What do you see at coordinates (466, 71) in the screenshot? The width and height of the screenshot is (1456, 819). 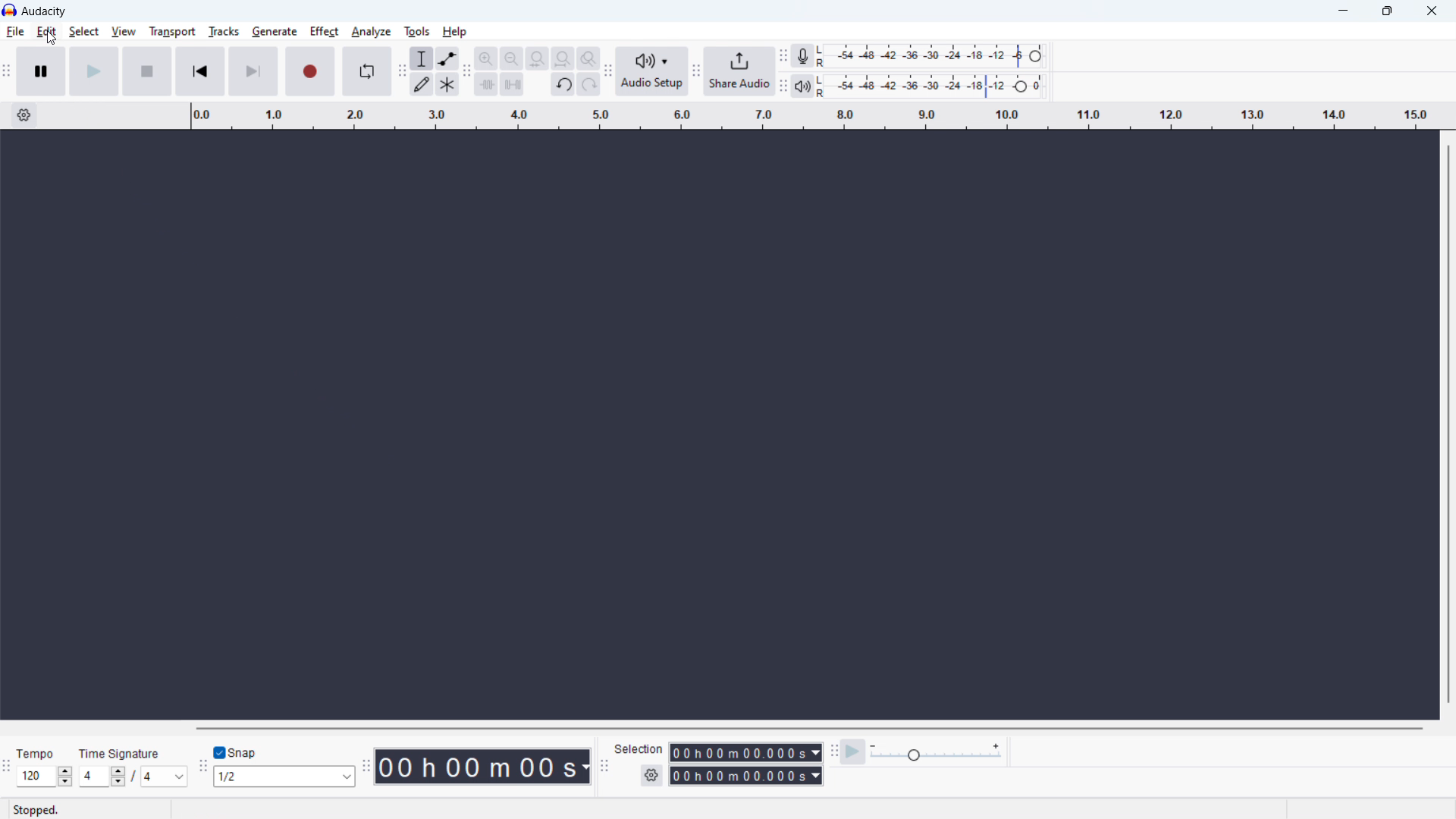 I see `edit toolbar` at bounding box center [466, 71].